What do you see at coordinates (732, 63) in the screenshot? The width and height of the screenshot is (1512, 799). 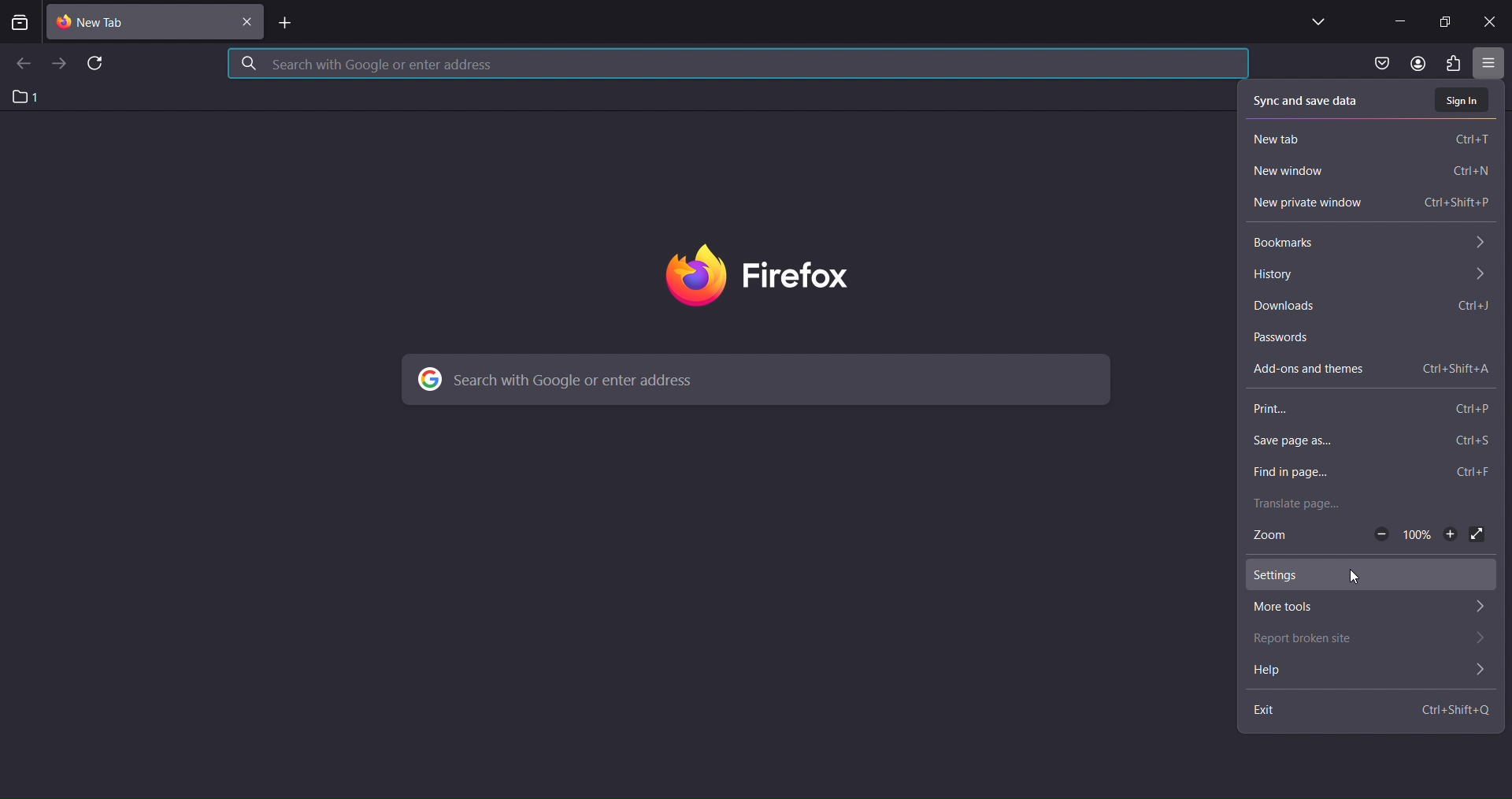 I see `search with google or enter address` at bounding box center [732, 63].